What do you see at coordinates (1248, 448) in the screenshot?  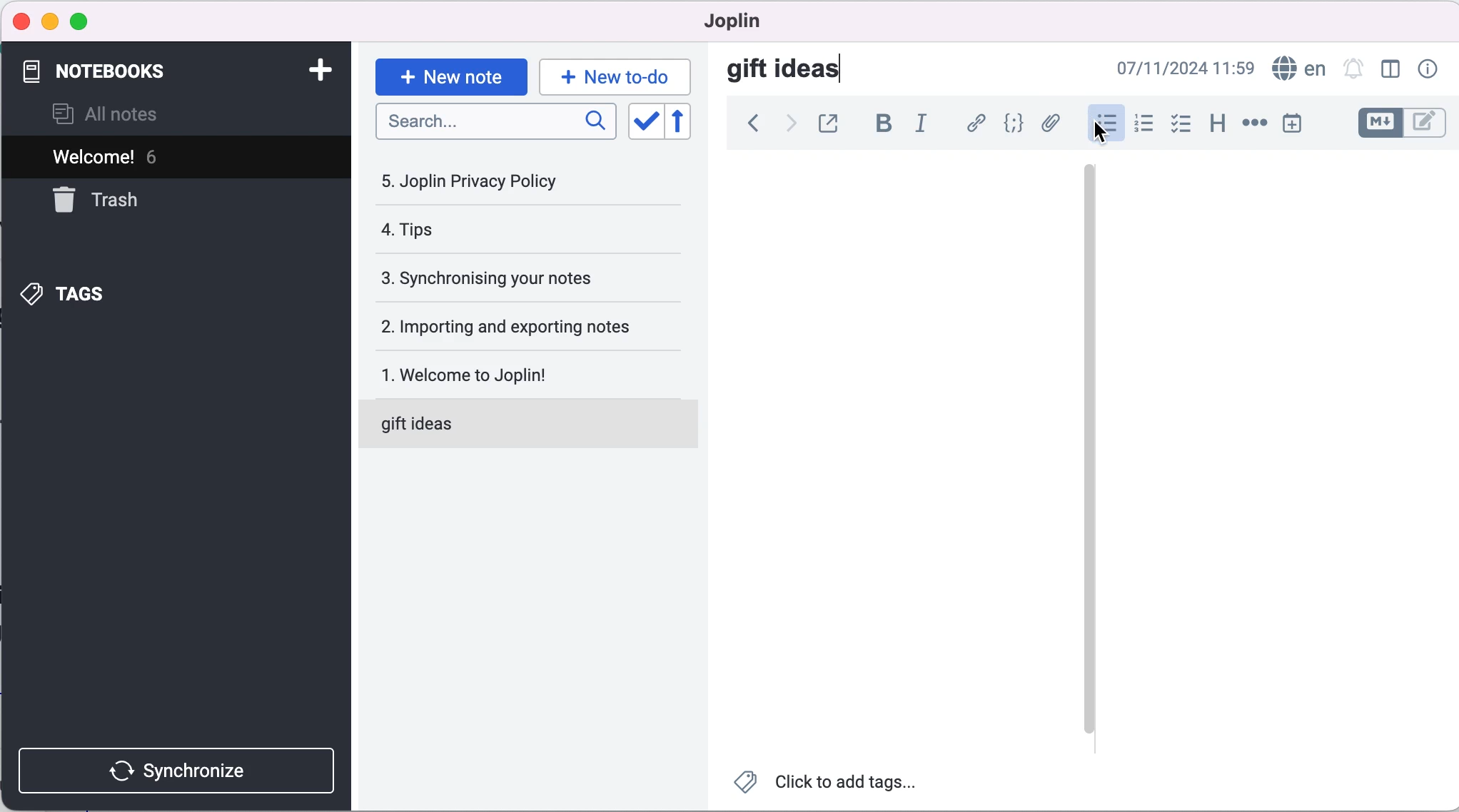 I see `blank canva` at bounding box center [1248, 448].